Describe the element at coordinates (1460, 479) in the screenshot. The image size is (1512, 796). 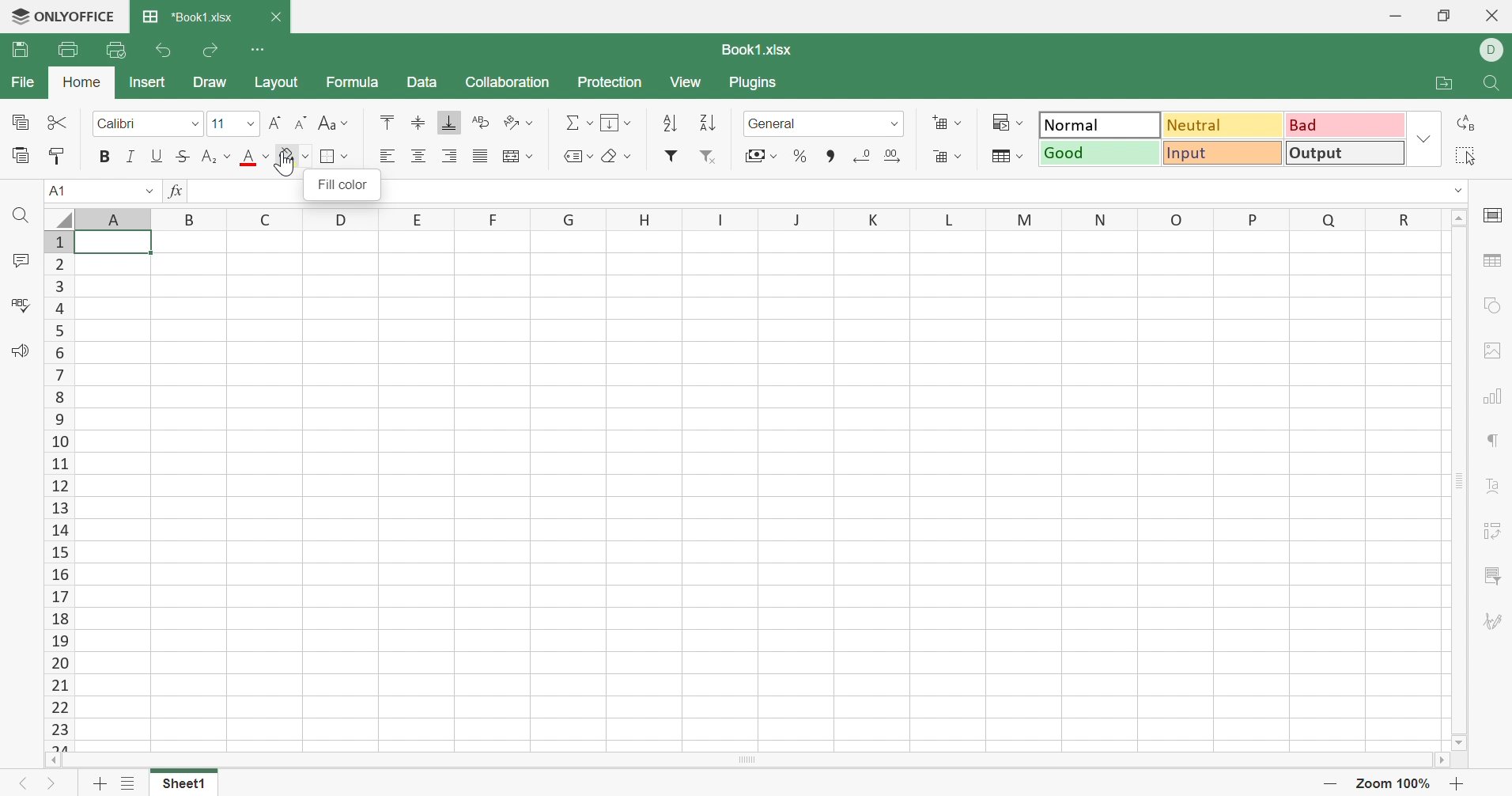
I see `Scroll Bar` at that location.